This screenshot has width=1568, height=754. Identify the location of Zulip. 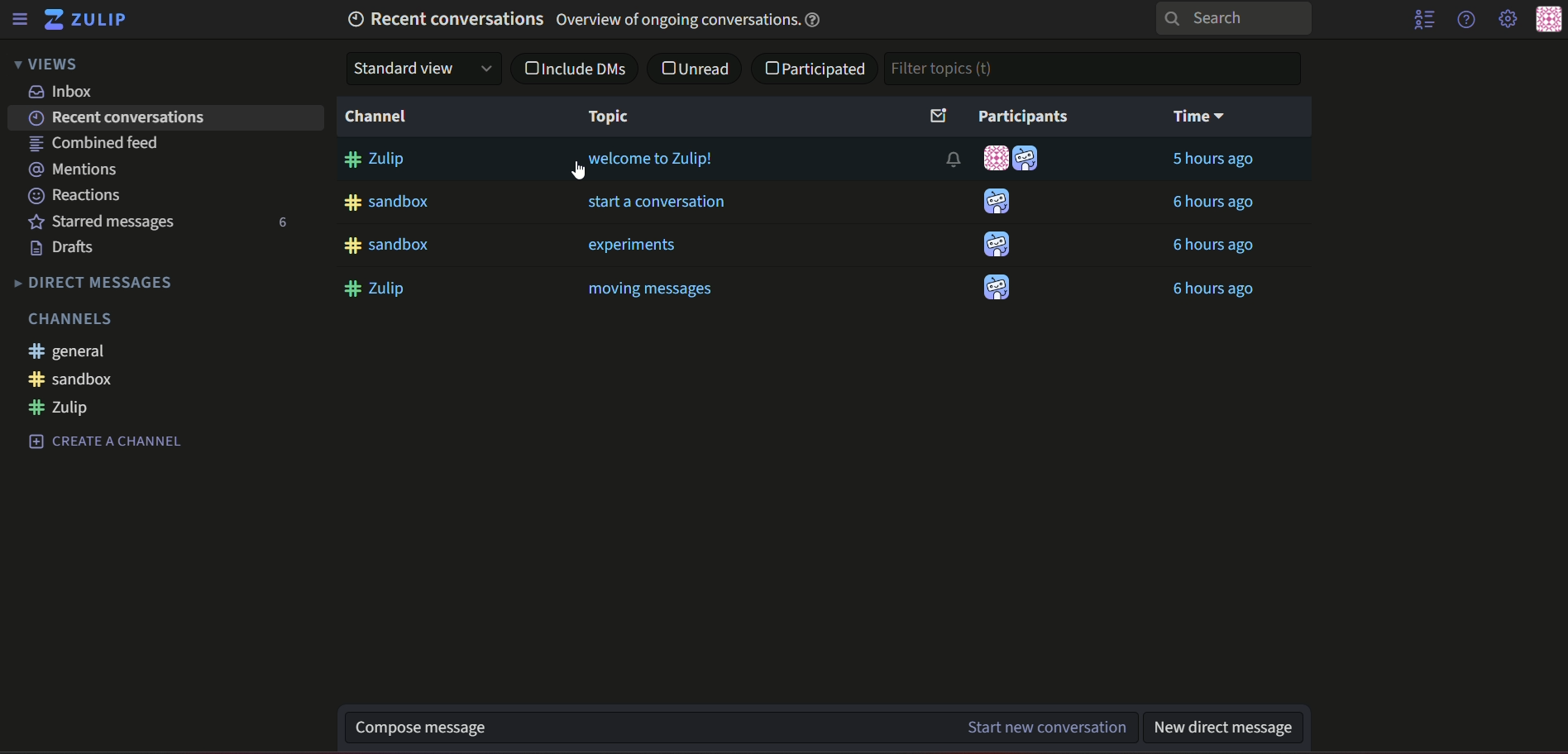
(92, 19).